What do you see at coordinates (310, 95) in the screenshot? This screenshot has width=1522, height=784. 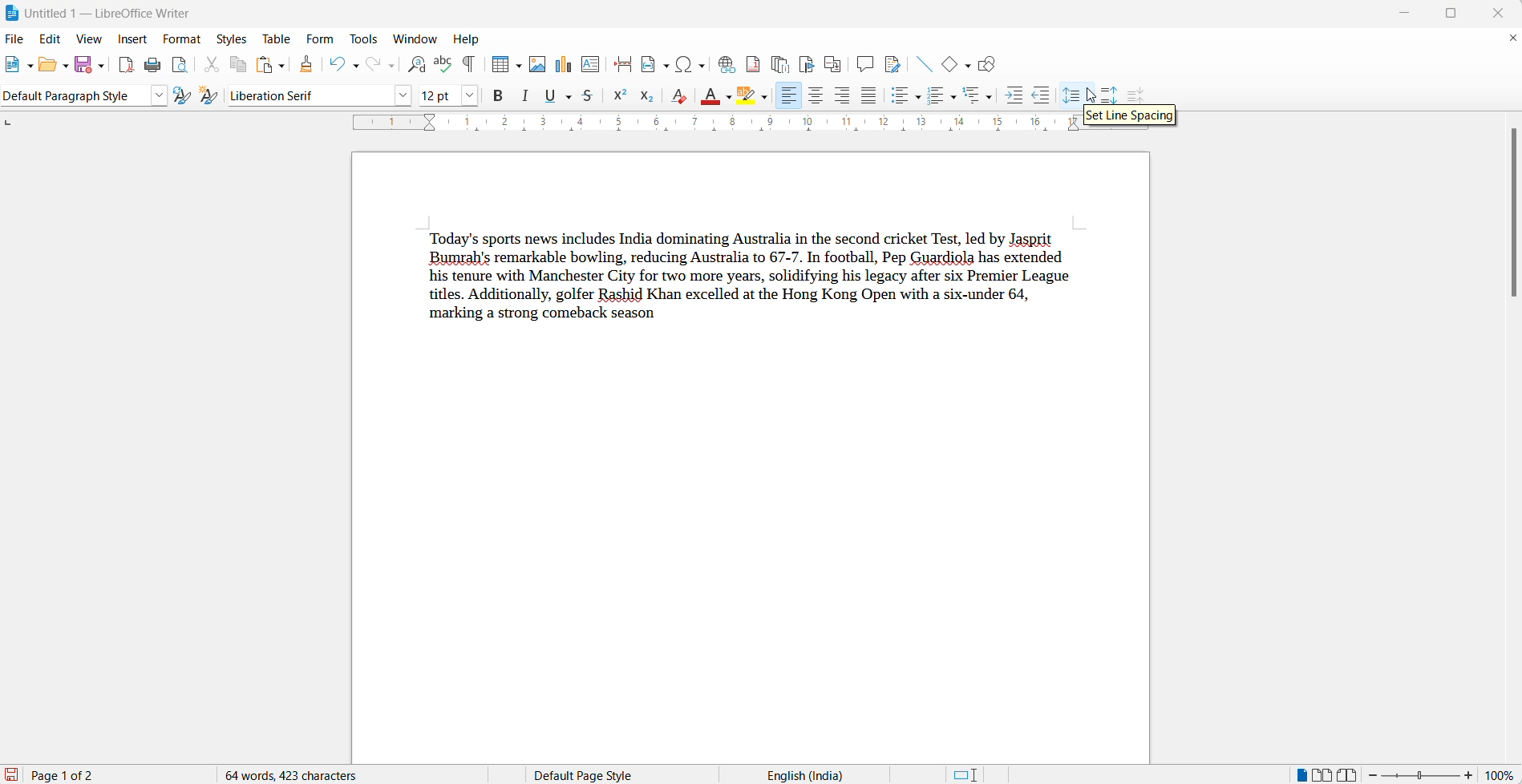 I see `font name` at bounding box center [310, 95].